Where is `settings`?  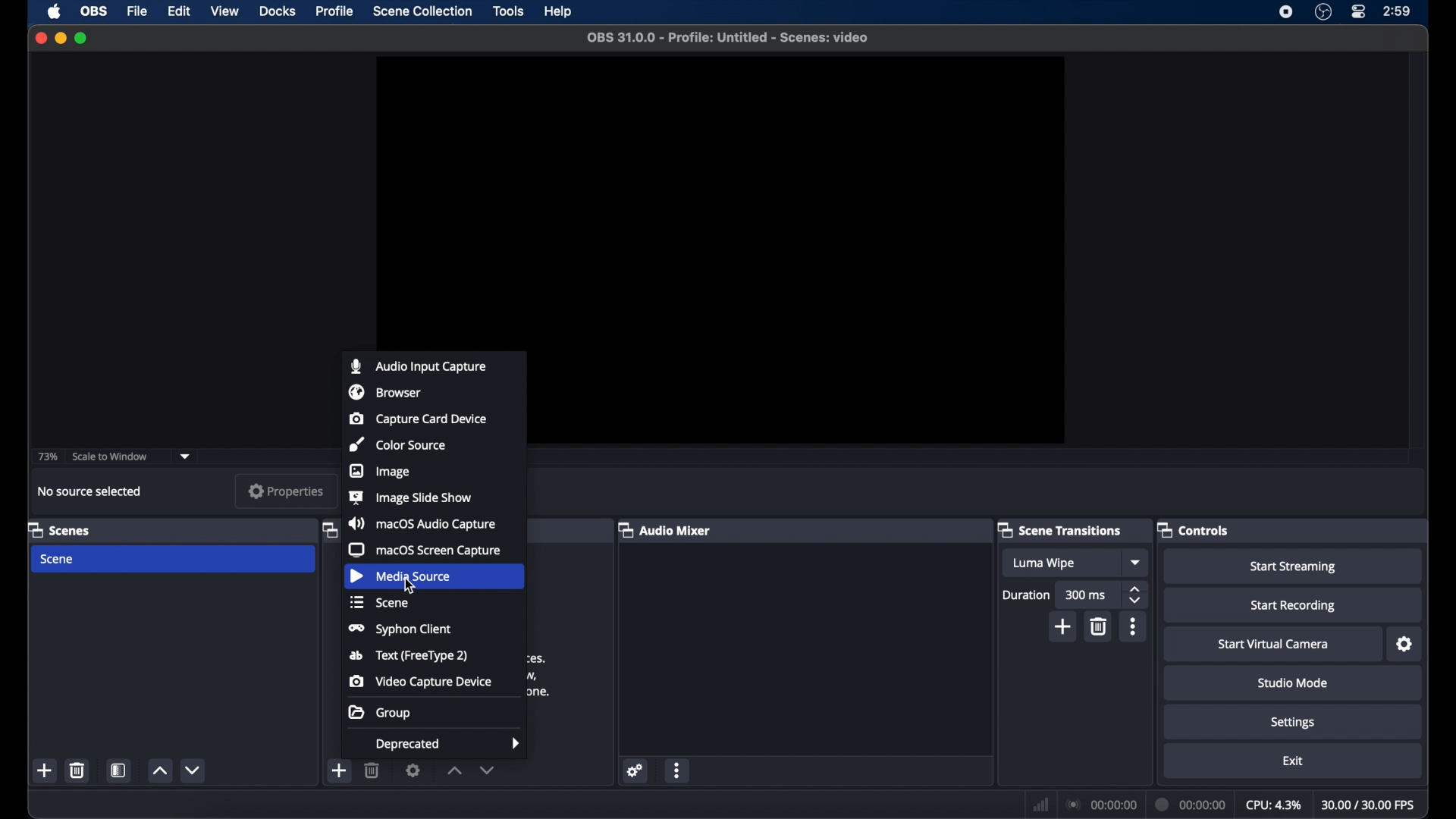 settings is located at coordinates (413, 770).